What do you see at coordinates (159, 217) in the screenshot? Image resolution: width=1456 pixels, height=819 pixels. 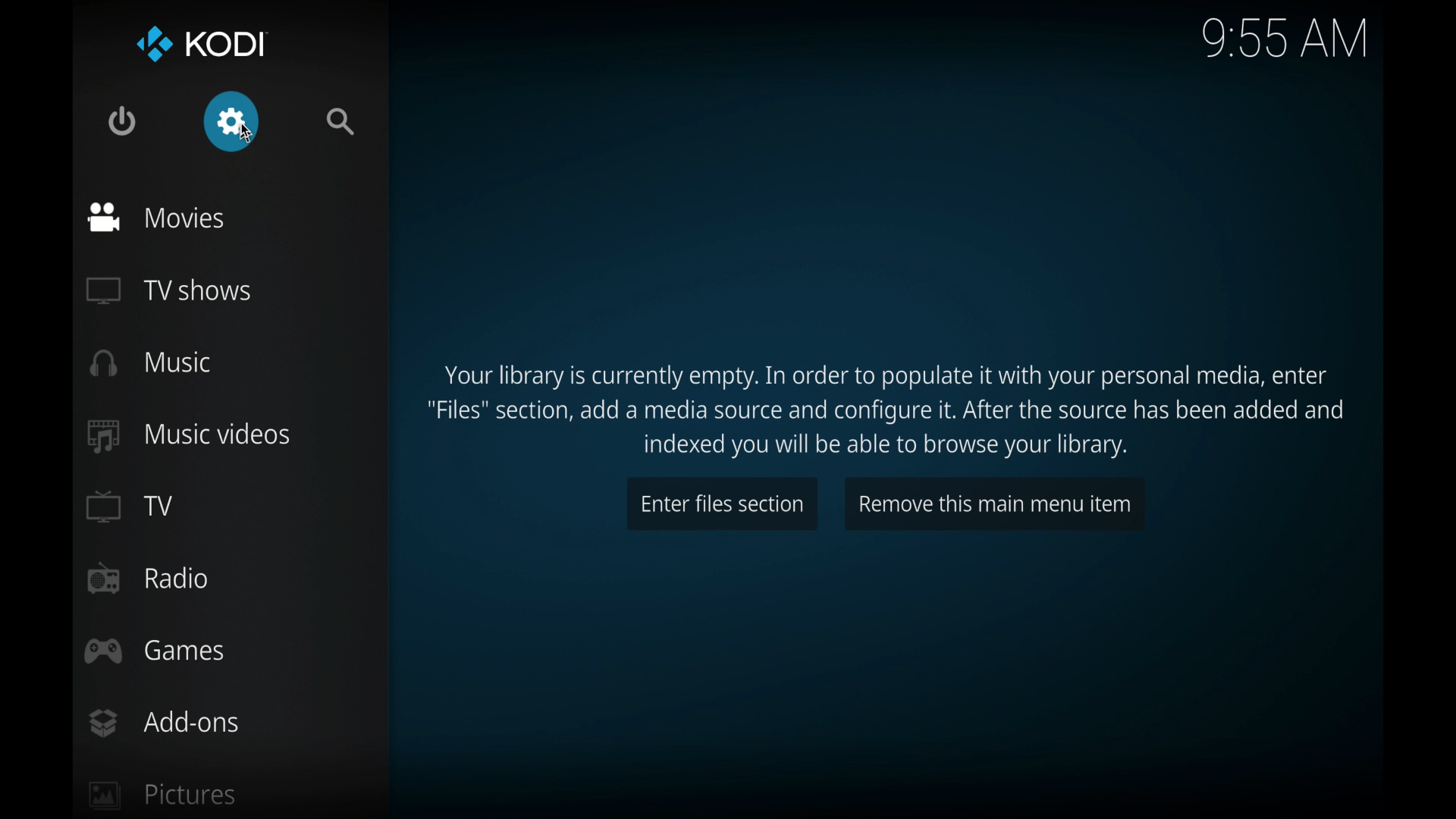 I see `movies` at bounding box center [159, 217].